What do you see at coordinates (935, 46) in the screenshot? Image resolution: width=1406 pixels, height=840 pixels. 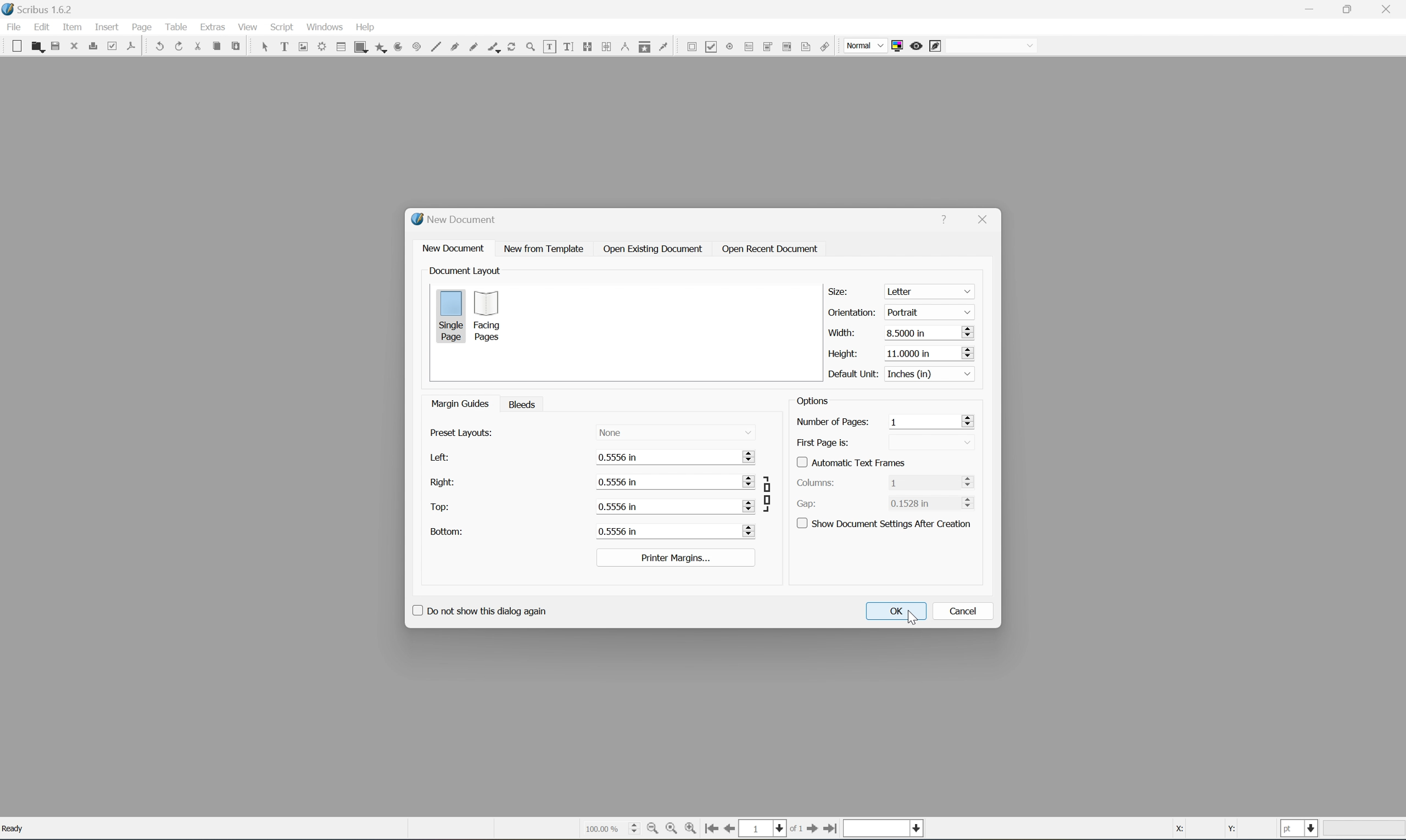 I see `edit in preview mode` at bounding box center [935, 46].